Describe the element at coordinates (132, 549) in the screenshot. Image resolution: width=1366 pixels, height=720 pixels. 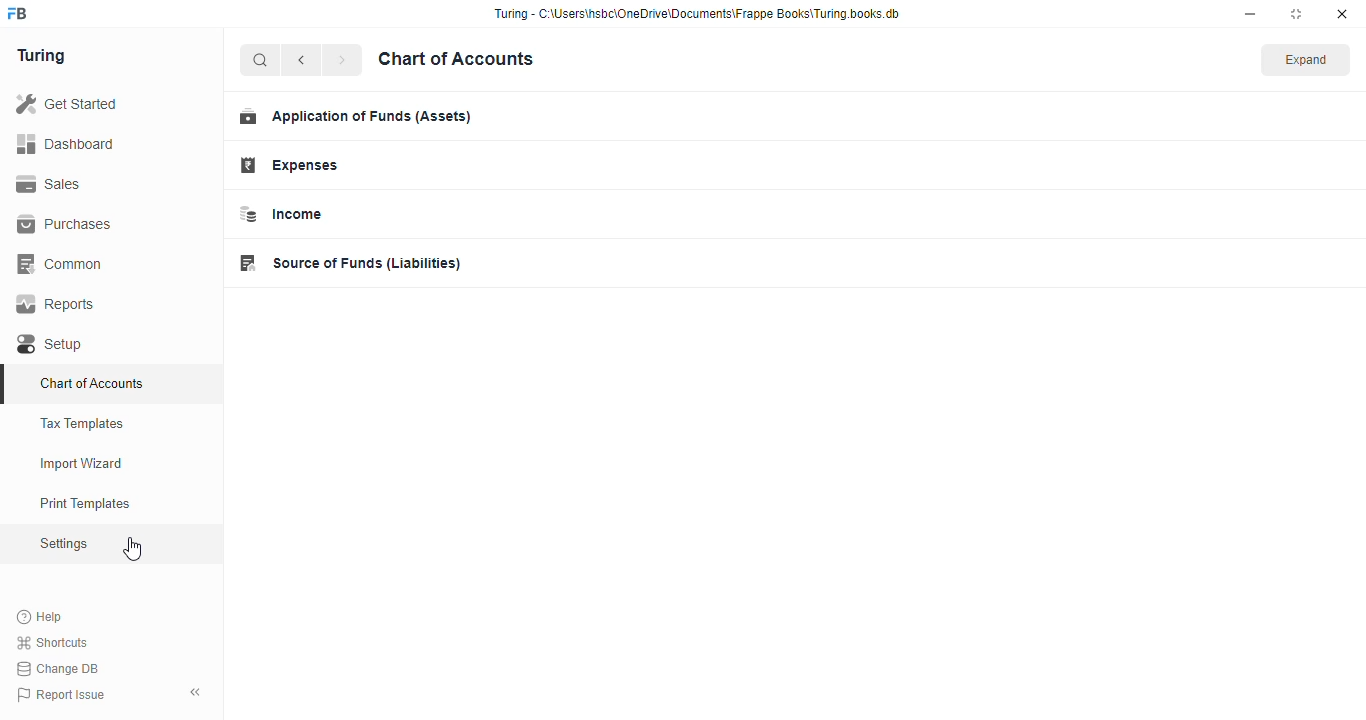
I see `cursor` at that location.